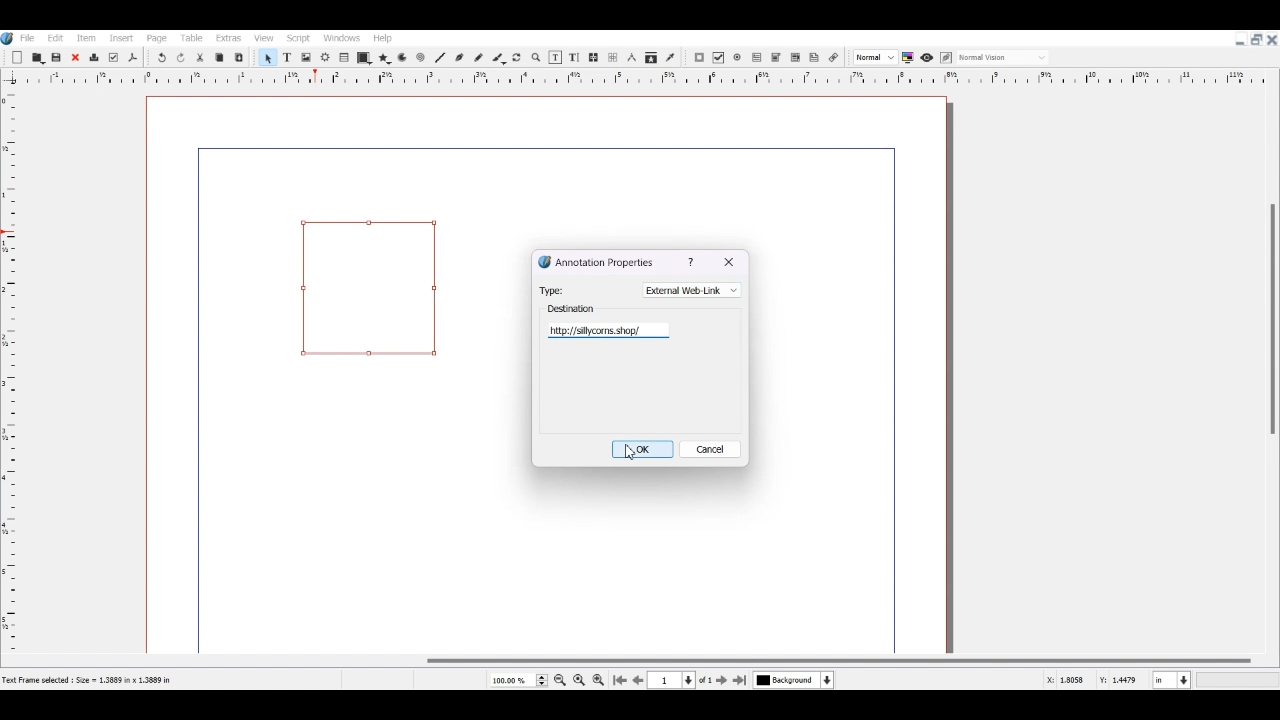  I want to click on X, Y Co-ordinate, so click(1067, 680).